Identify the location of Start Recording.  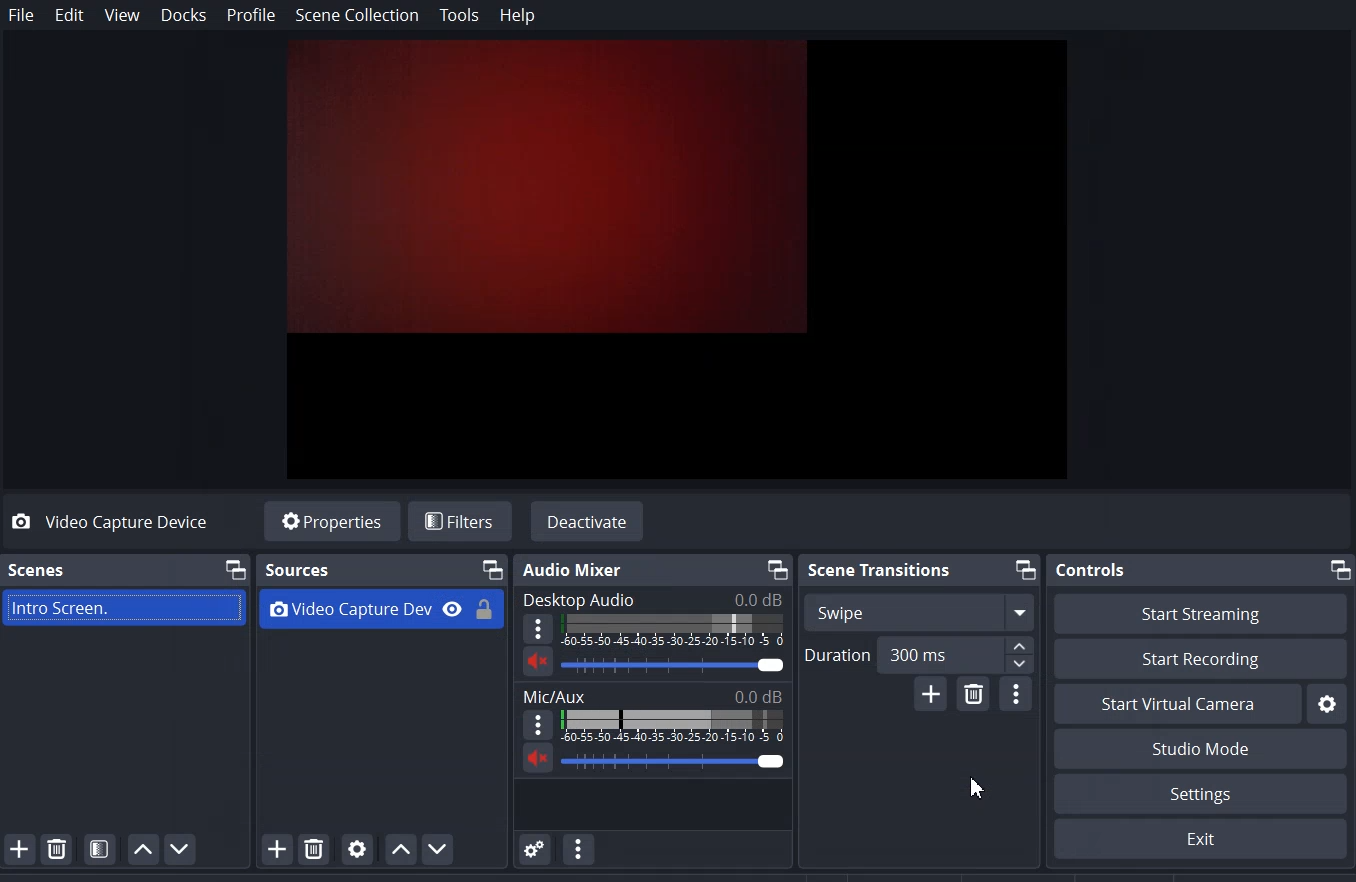
(1201, 660).